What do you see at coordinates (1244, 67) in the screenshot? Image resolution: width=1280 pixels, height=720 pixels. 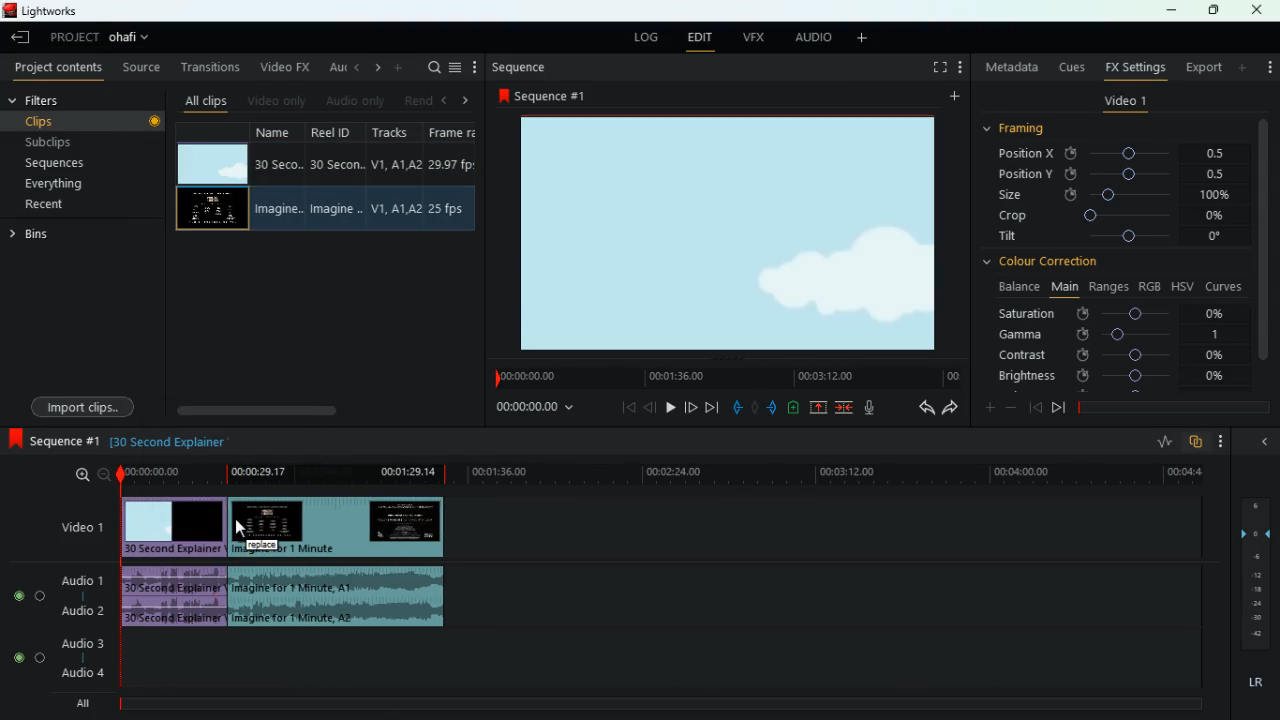 I see `more` at bounding box center [1244, 67].